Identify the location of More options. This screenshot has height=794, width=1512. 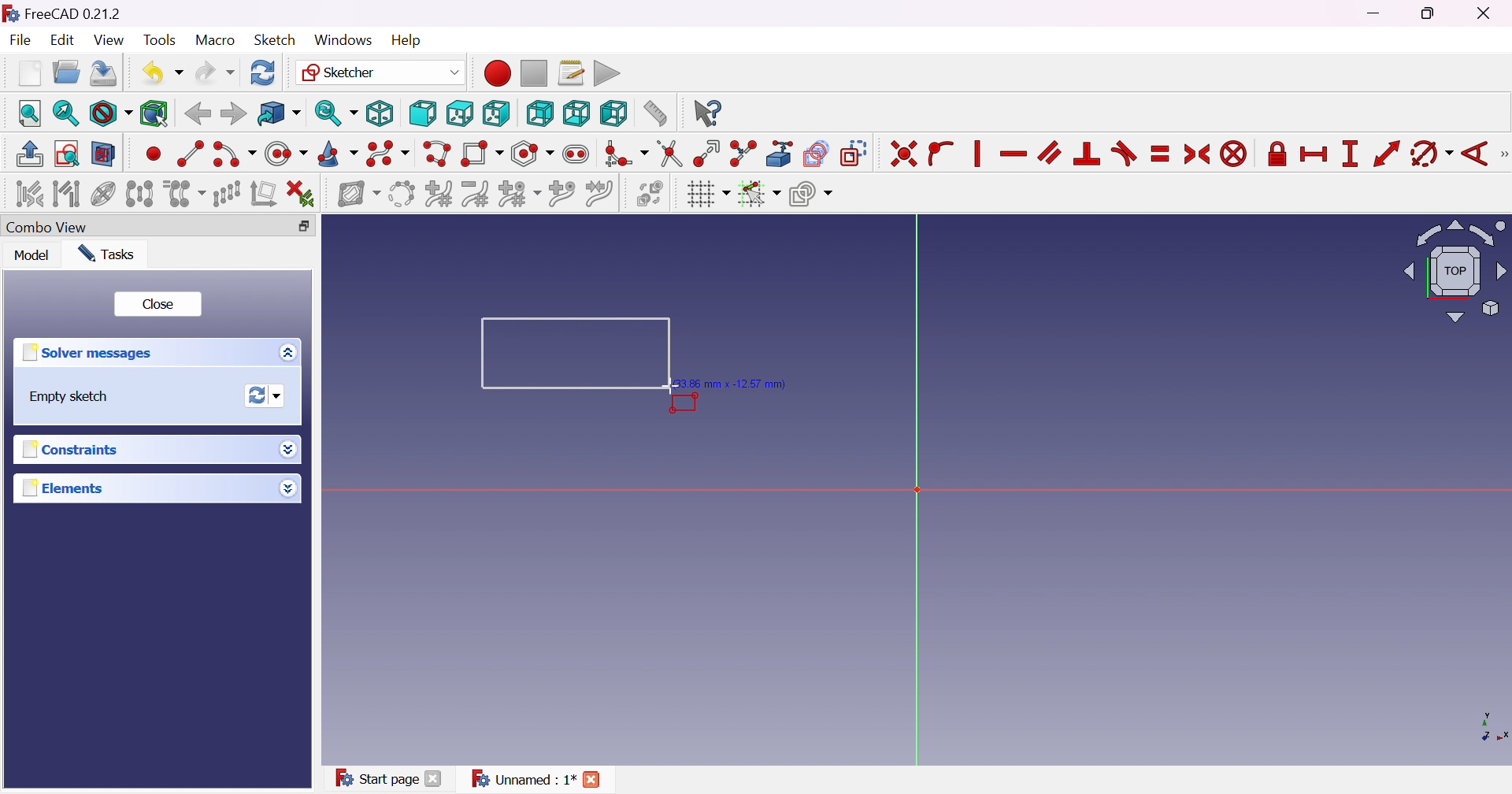
(292, 352).